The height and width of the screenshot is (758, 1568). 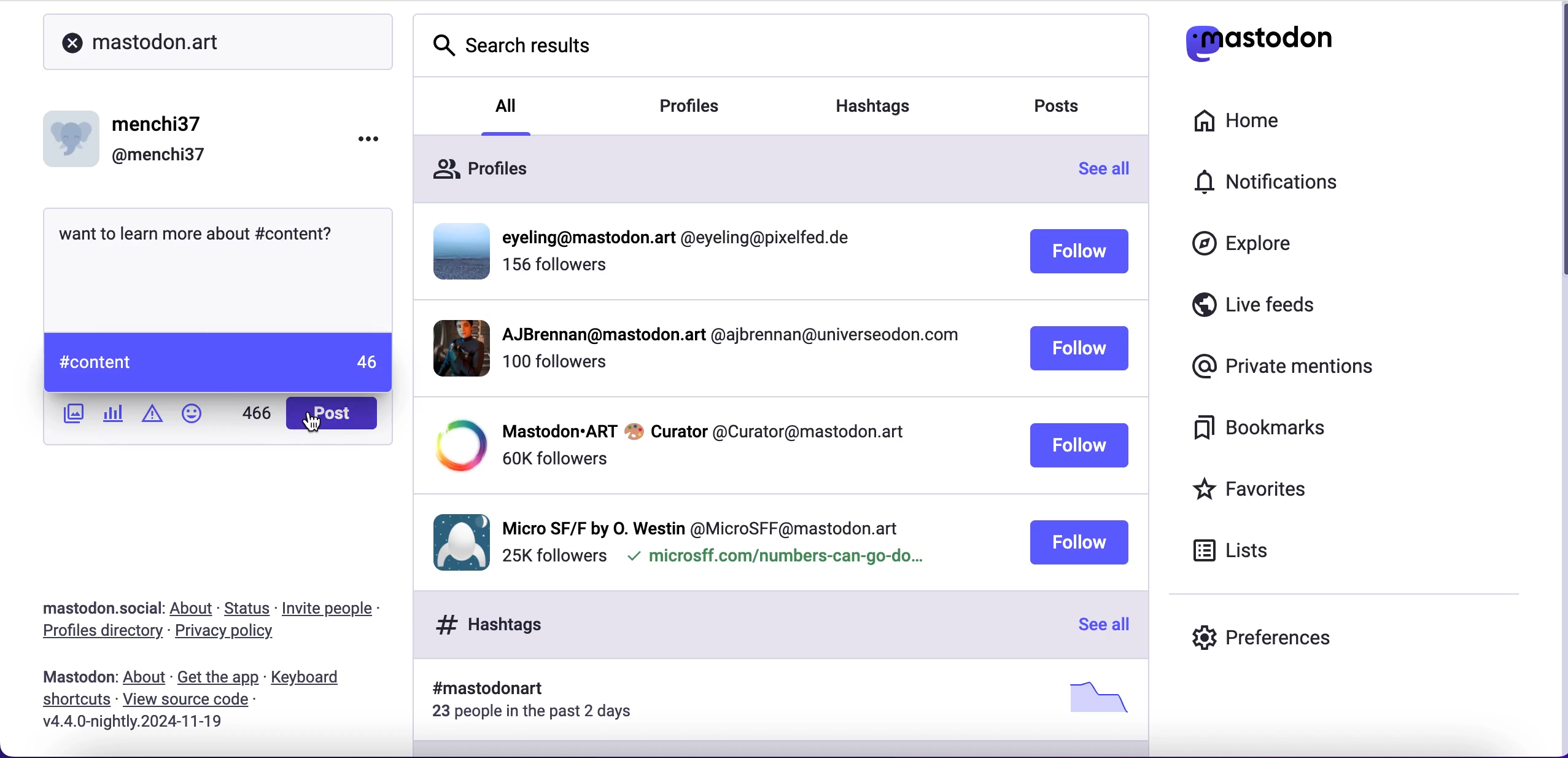 What do you see at coordinates (1557, 147) in the screenshot?
I see `scroll bar` at bounding box center [1557, 147].